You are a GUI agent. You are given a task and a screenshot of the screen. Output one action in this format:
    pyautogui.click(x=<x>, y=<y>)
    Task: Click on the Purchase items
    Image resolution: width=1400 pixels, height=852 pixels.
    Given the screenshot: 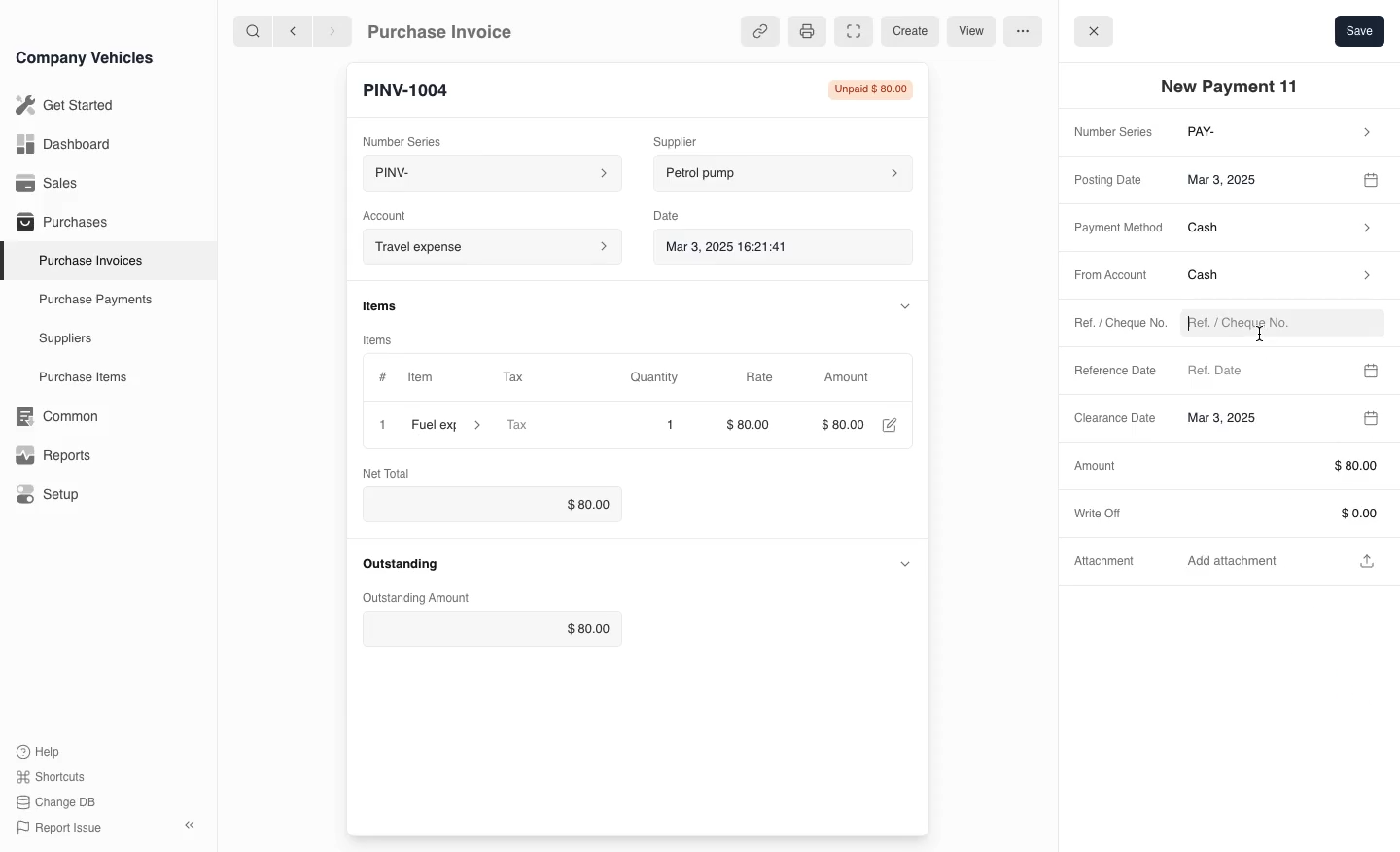 What is the action you would take?
    pyautogui.click(x=76, y=377)
    